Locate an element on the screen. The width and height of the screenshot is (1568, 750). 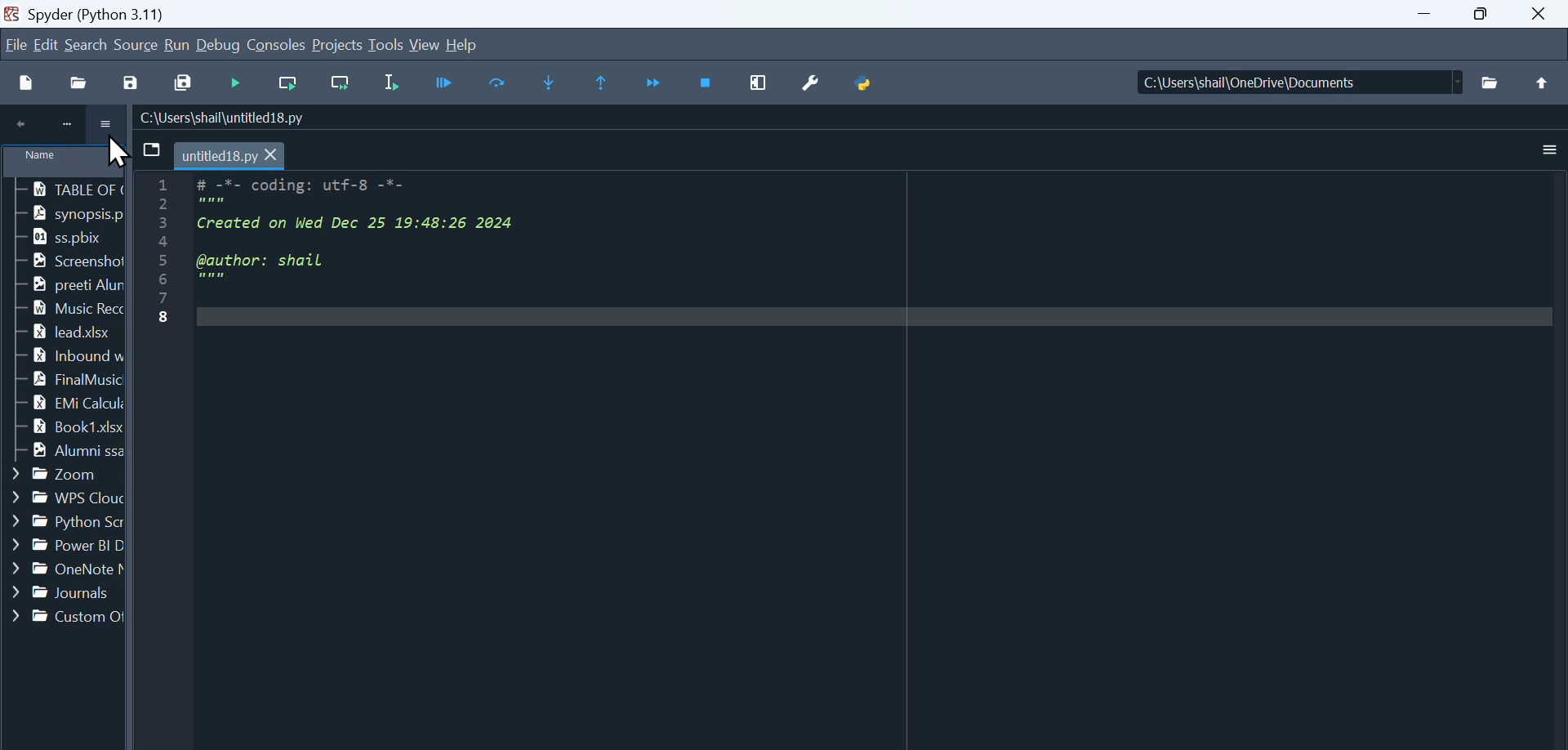
Python Sci.. is located at coordinates (62, 519).